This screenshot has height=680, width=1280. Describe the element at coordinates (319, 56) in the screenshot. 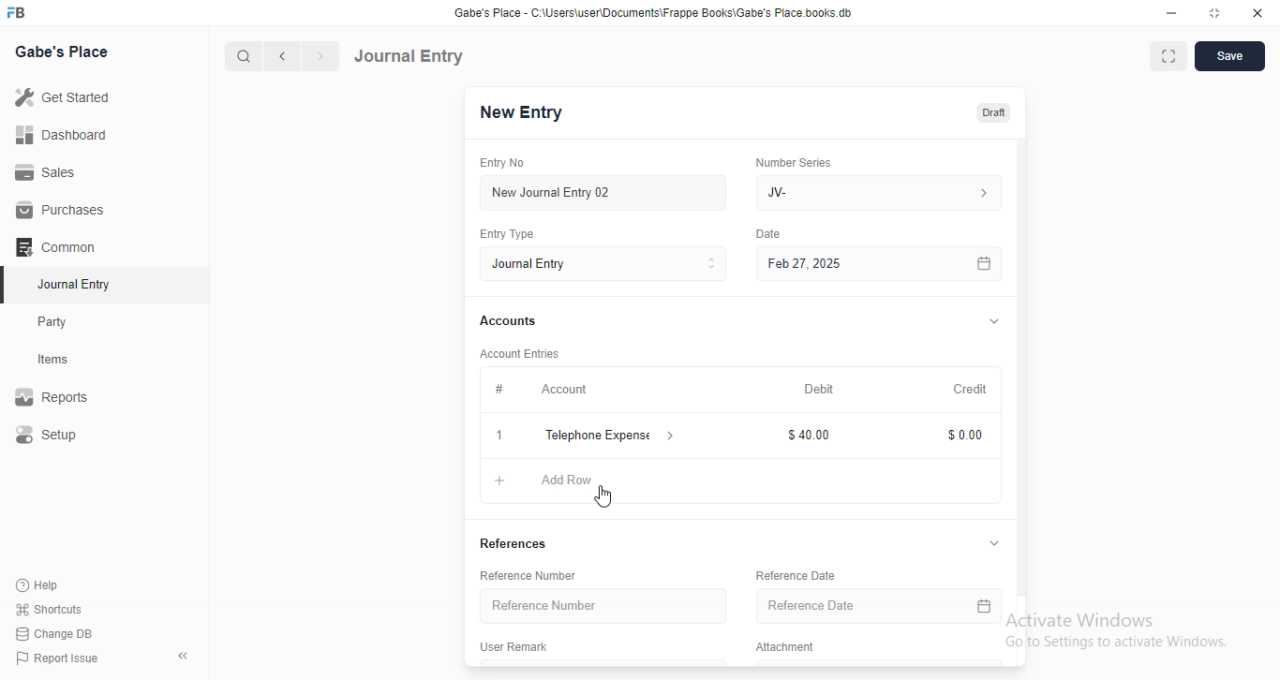

I see `Next` at that location.